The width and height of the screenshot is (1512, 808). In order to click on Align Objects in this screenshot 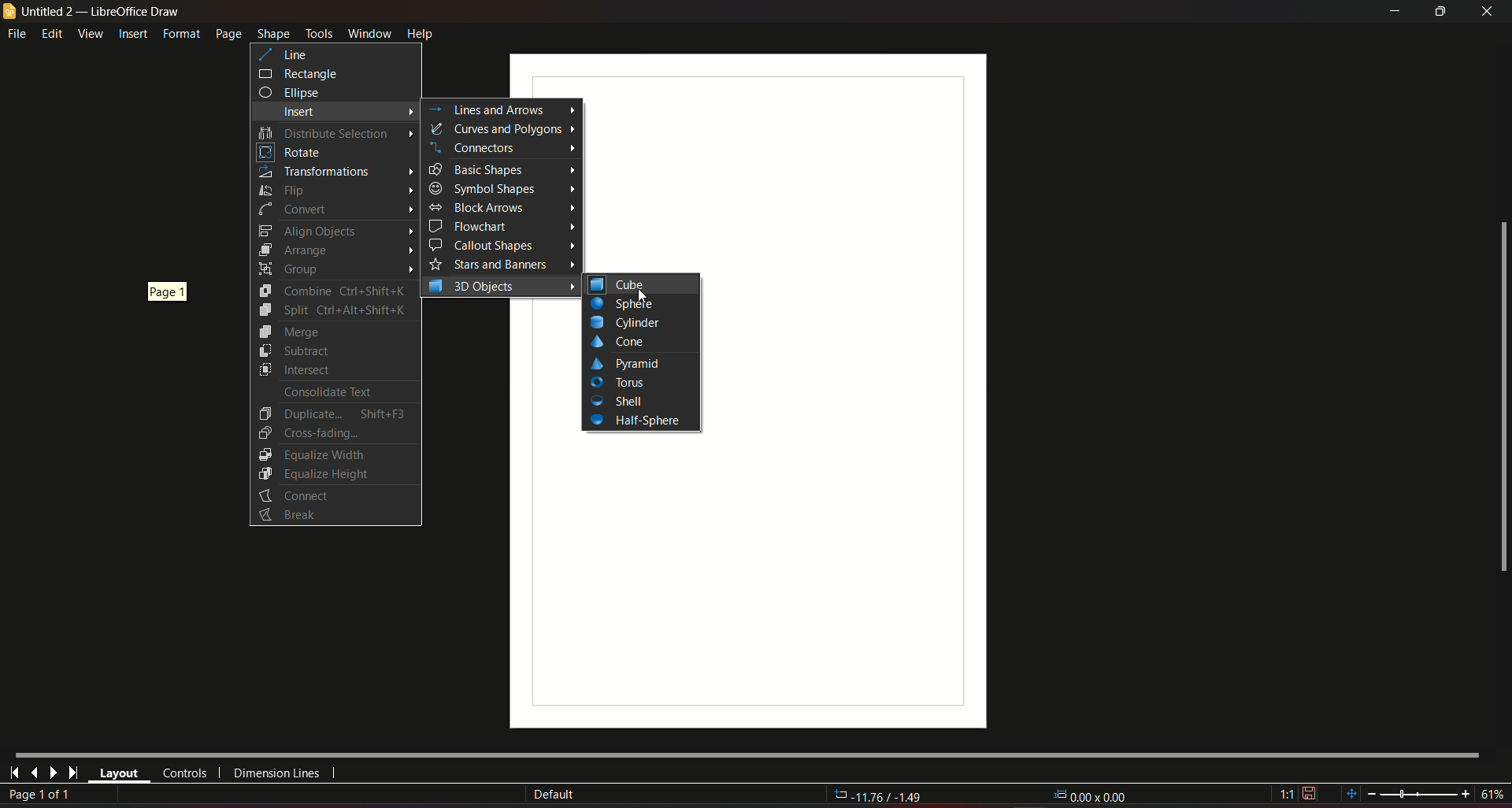, I will do `click(306, 230)`.